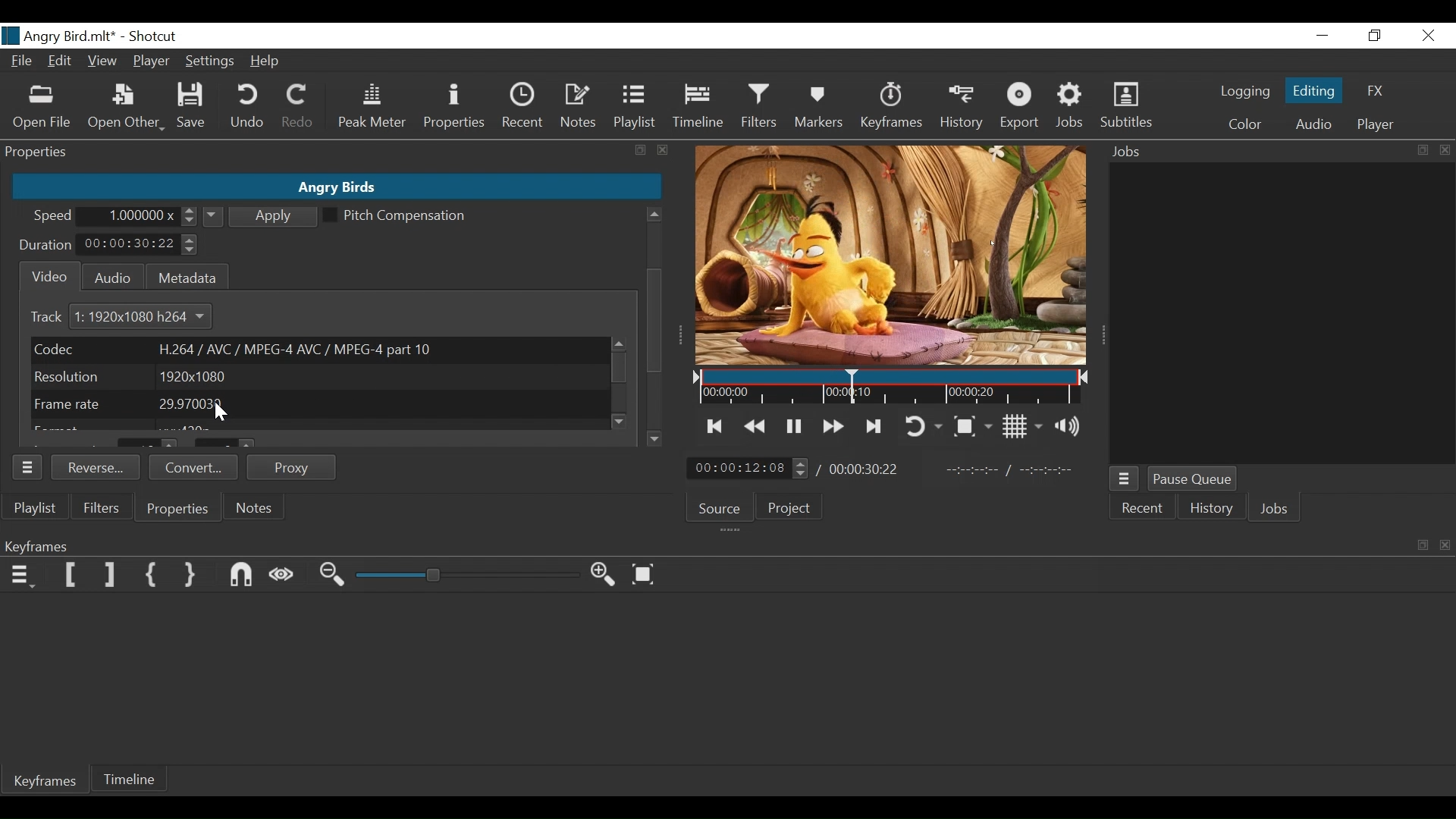  Describe the element at coordinates (337, 152) in the screenshot. I see `Properties Panel` at that location.